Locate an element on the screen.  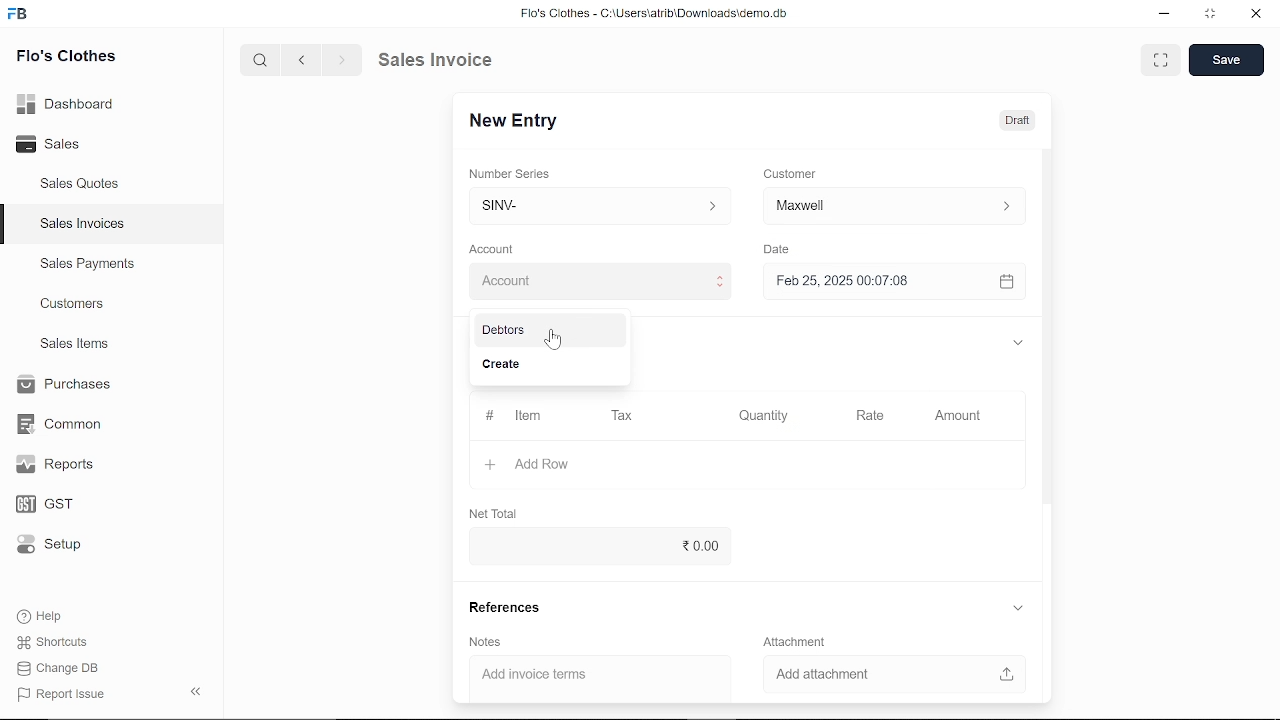
Rate is located at coordinates (850, 416).